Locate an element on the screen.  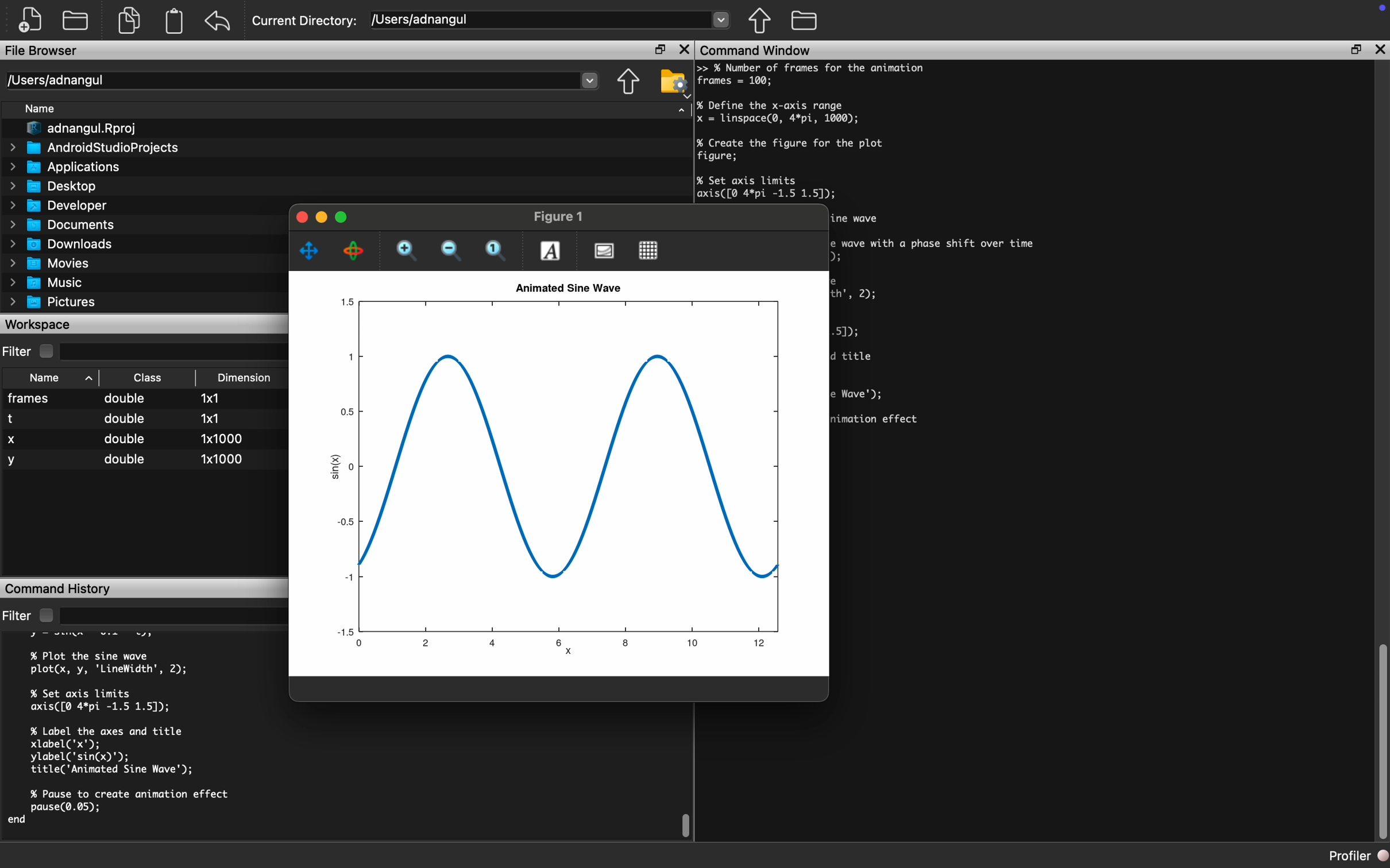
frames is located at coordinates (31, 398).